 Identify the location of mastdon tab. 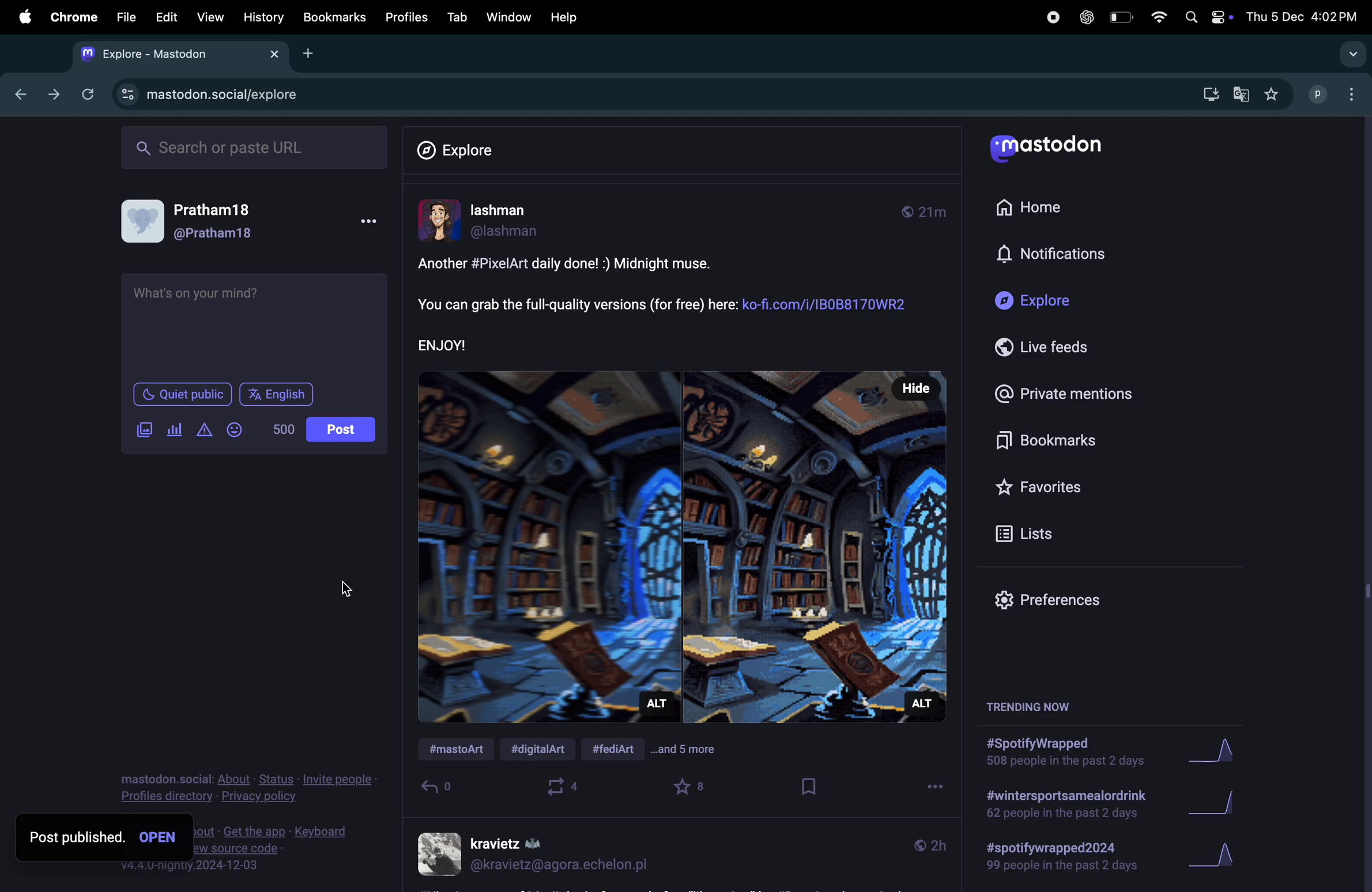
(186, 55).